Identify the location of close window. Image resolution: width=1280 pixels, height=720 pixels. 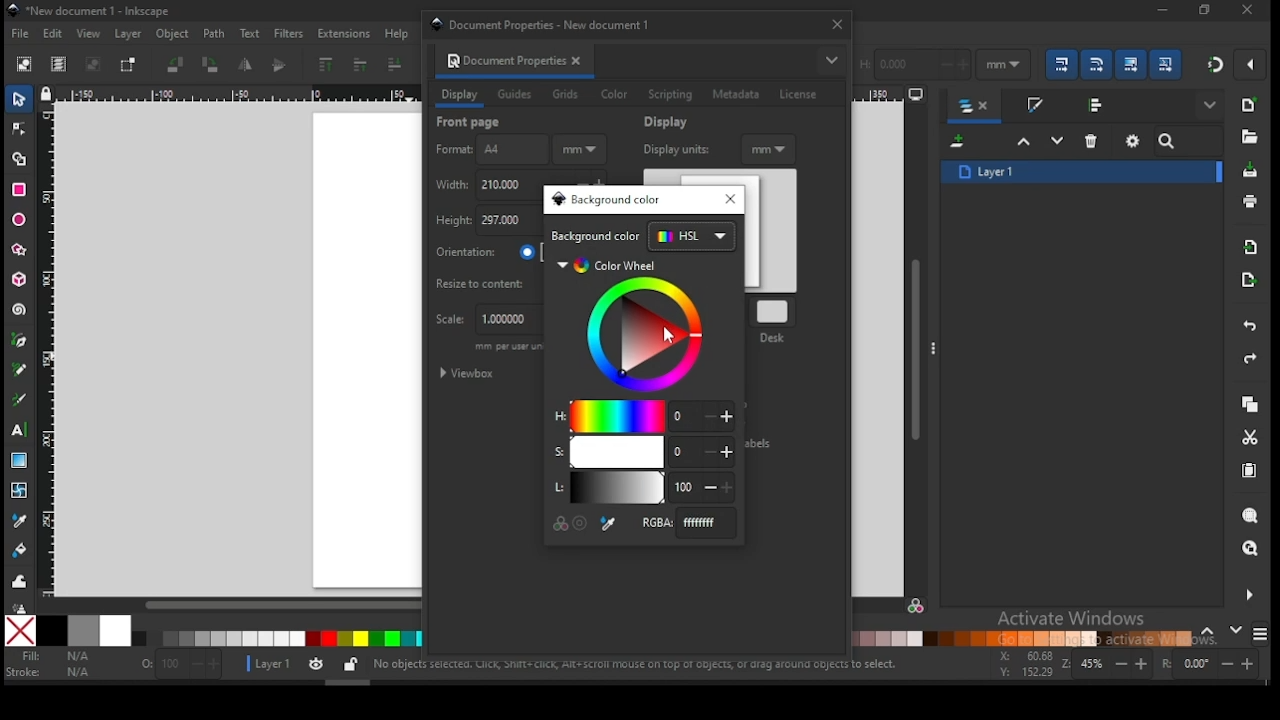
(1203, 10).